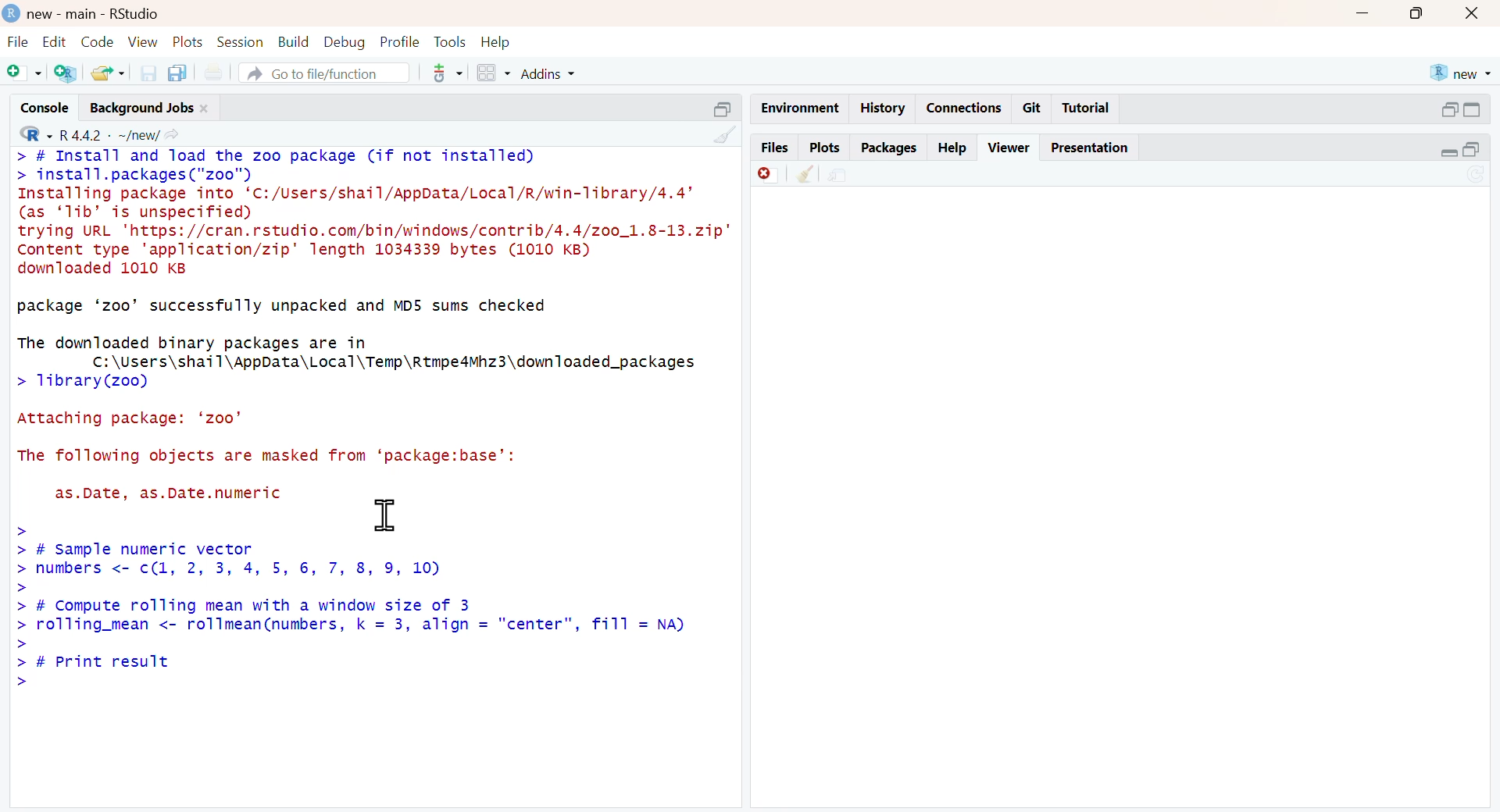 Image resolution: width=1500 pixels, height=812 pixels. What do you see at coordinates (448, 73) in the screenshot?
I see `tool` at bounding box center [448, 73].